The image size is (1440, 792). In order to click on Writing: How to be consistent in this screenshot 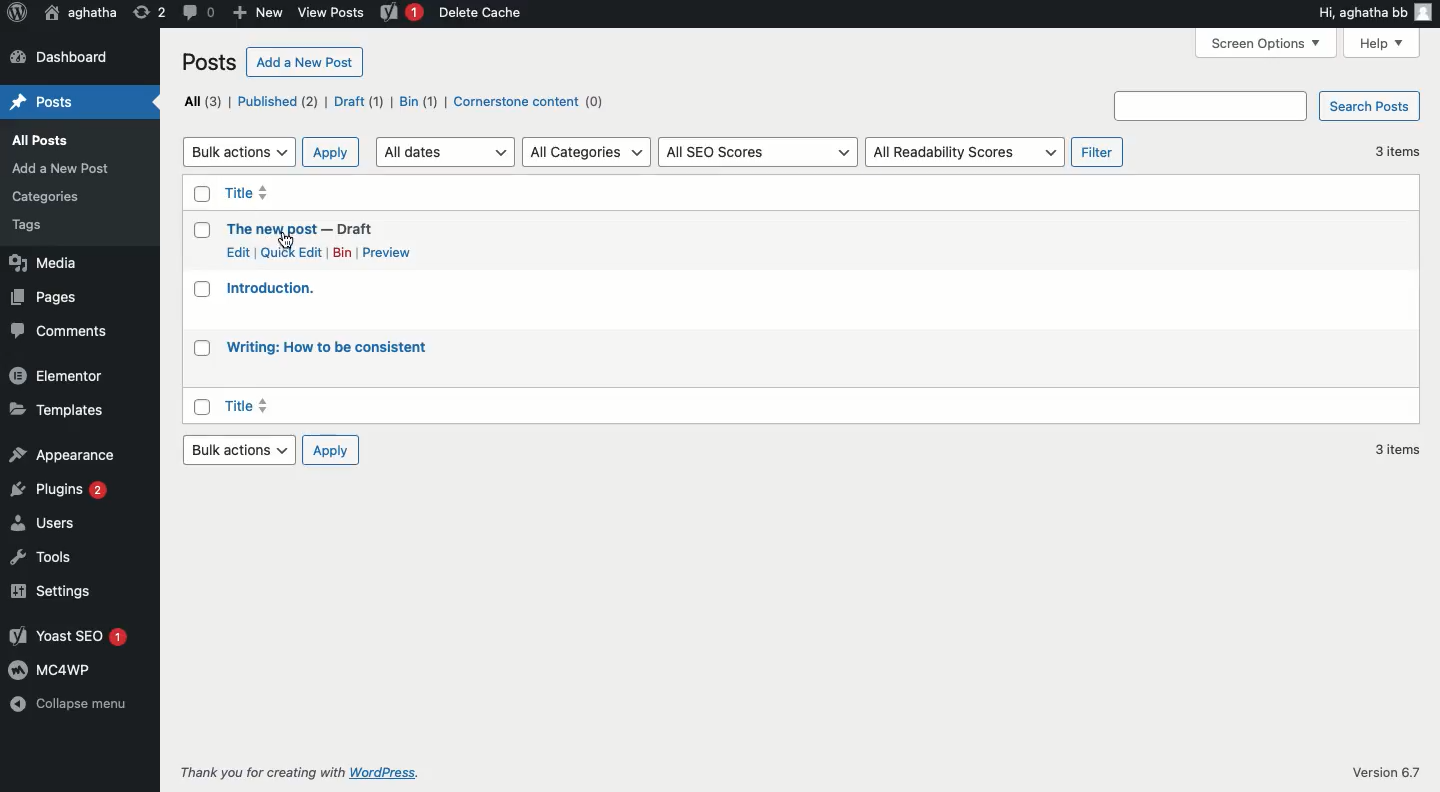, I will do `click(330, 347)`.